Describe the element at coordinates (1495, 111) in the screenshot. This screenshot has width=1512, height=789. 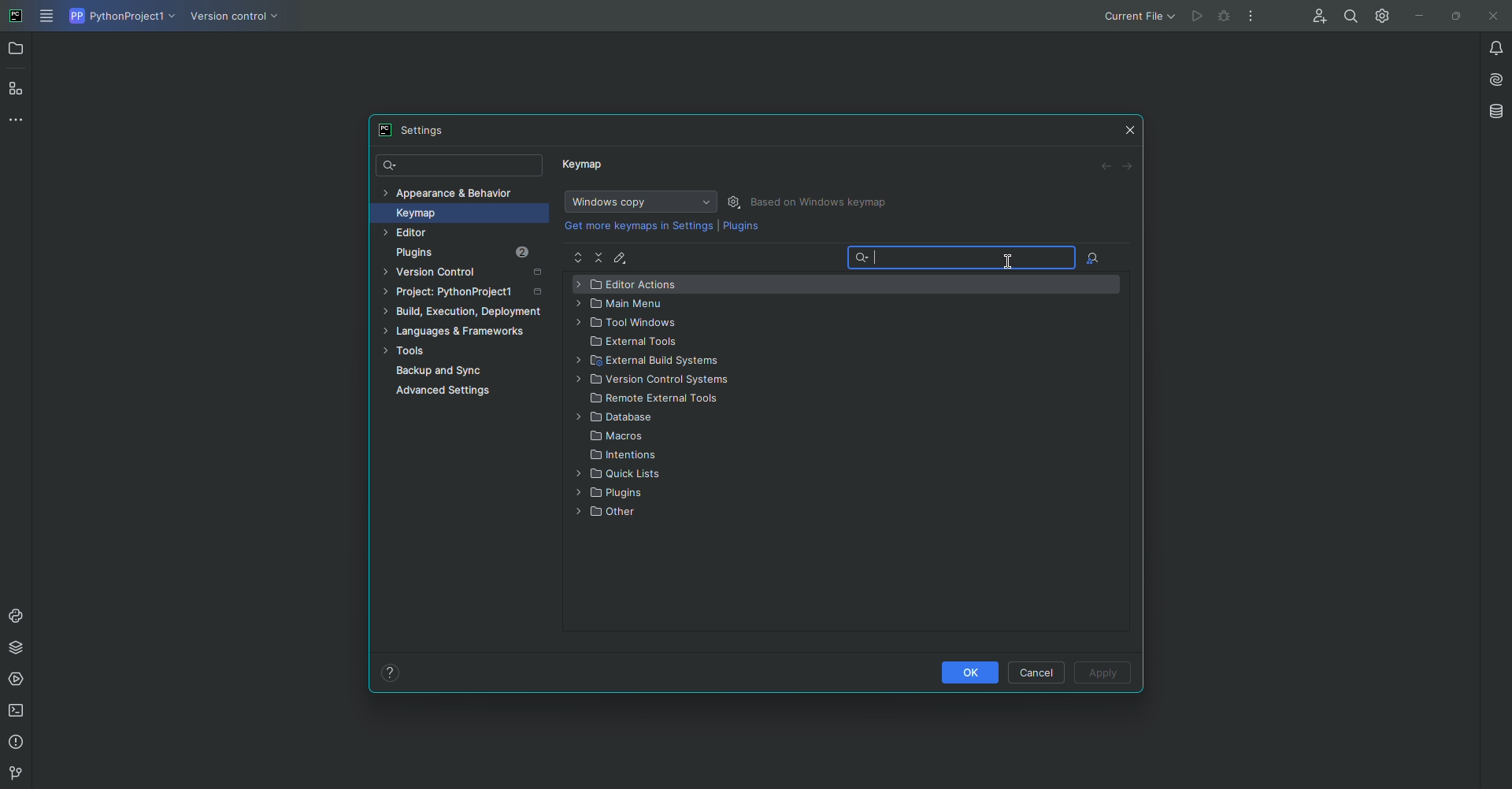
I see `Database` at that location.